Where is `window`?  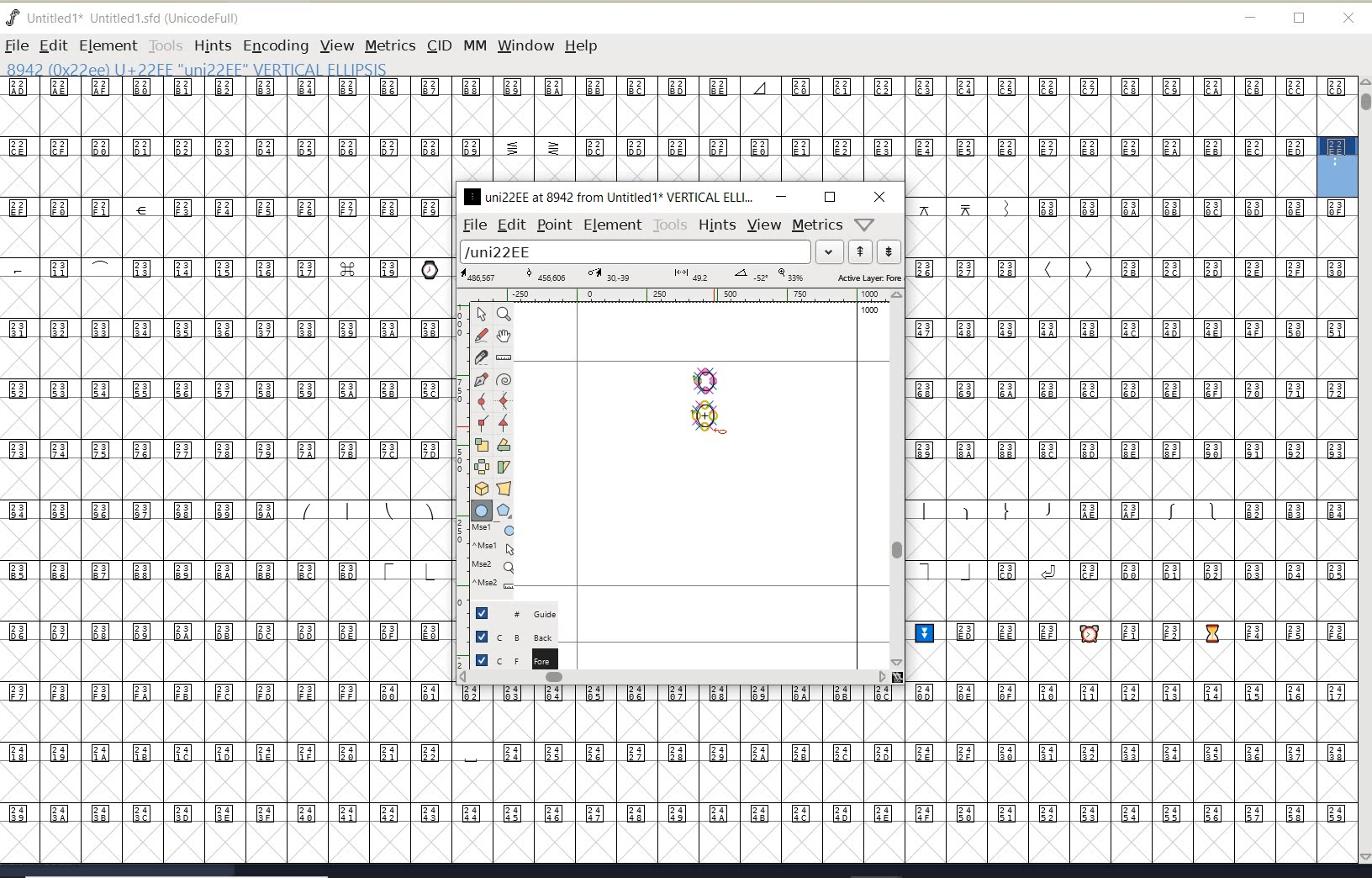 window is located at coordinates (525, 45).